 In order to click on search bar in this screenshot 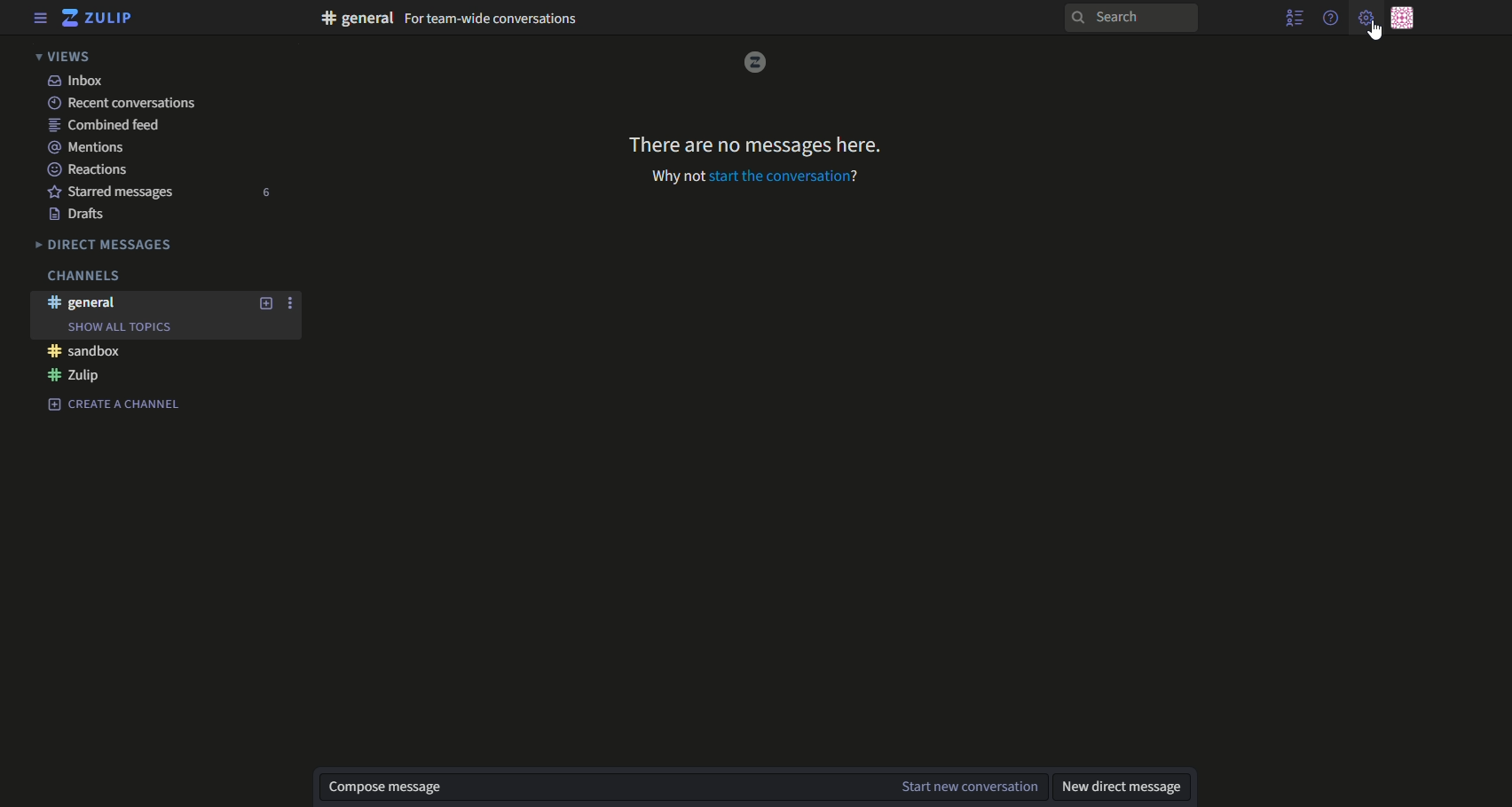, I will do `click(1129, 19)`.